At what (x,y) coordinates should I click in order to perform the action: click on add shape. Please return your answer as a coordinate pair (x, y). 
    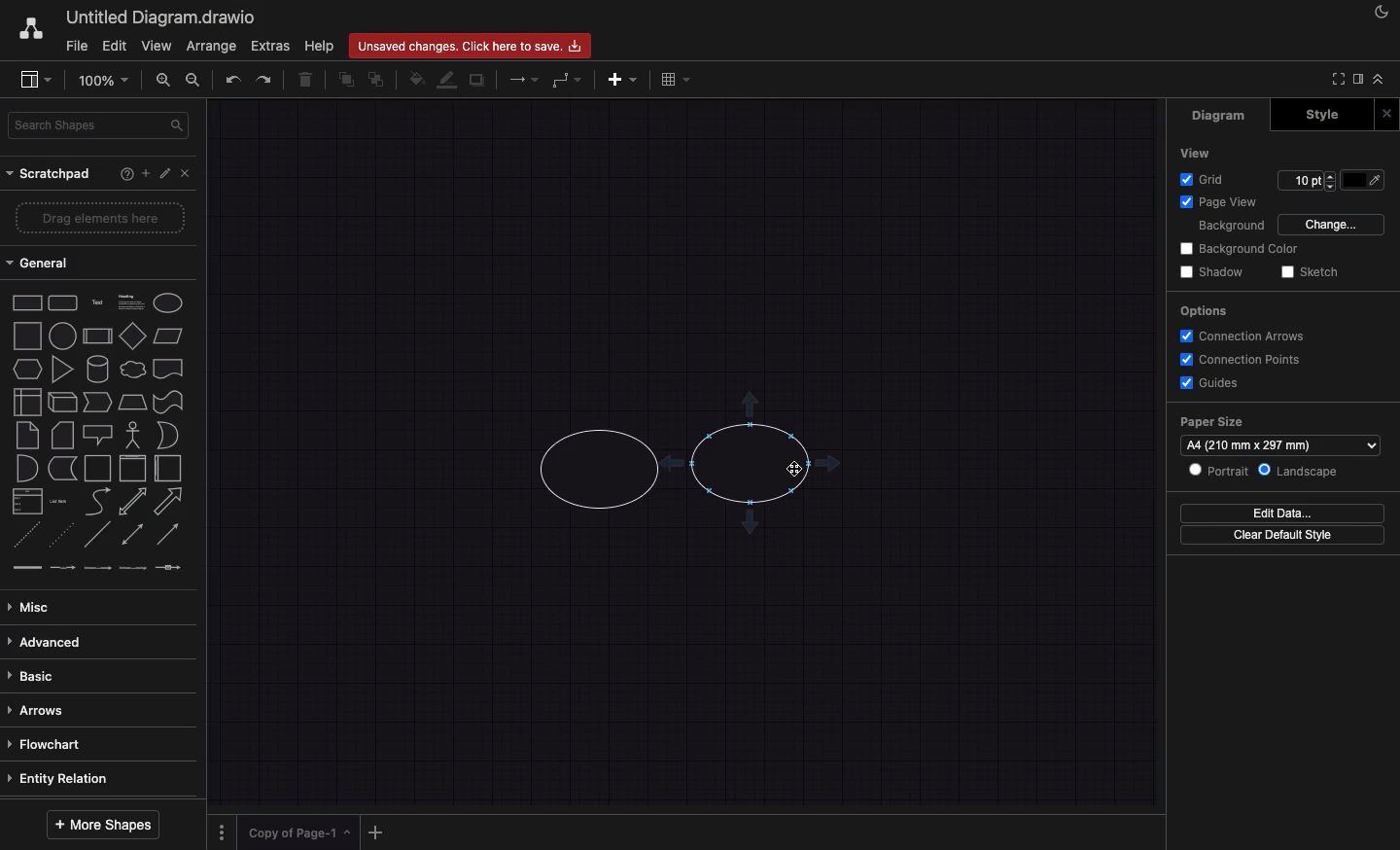
    Looking at the image, I should click on (751, 405).